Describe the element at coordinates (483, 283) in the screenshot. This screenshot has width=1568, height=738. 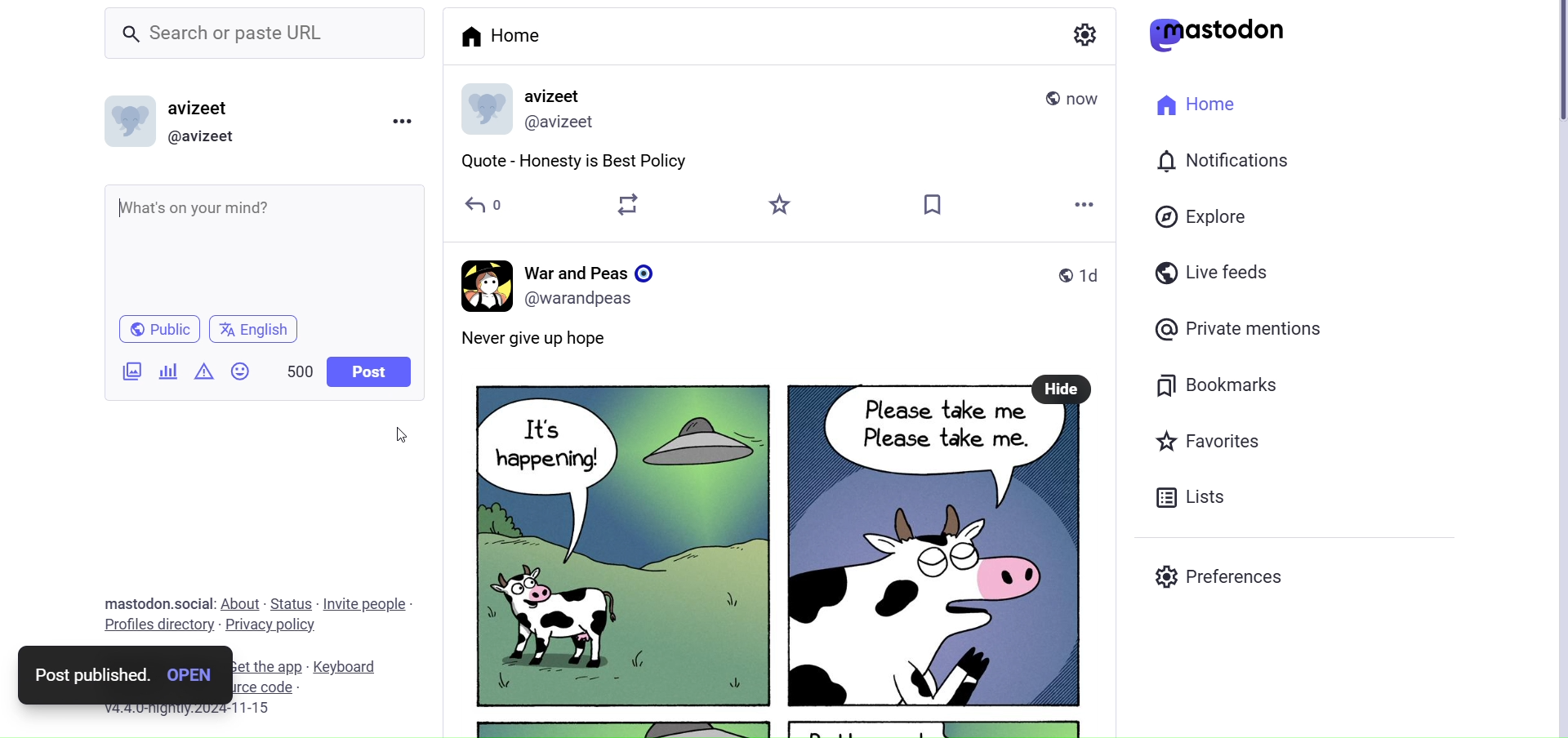
I see `profile Picture` at that location.